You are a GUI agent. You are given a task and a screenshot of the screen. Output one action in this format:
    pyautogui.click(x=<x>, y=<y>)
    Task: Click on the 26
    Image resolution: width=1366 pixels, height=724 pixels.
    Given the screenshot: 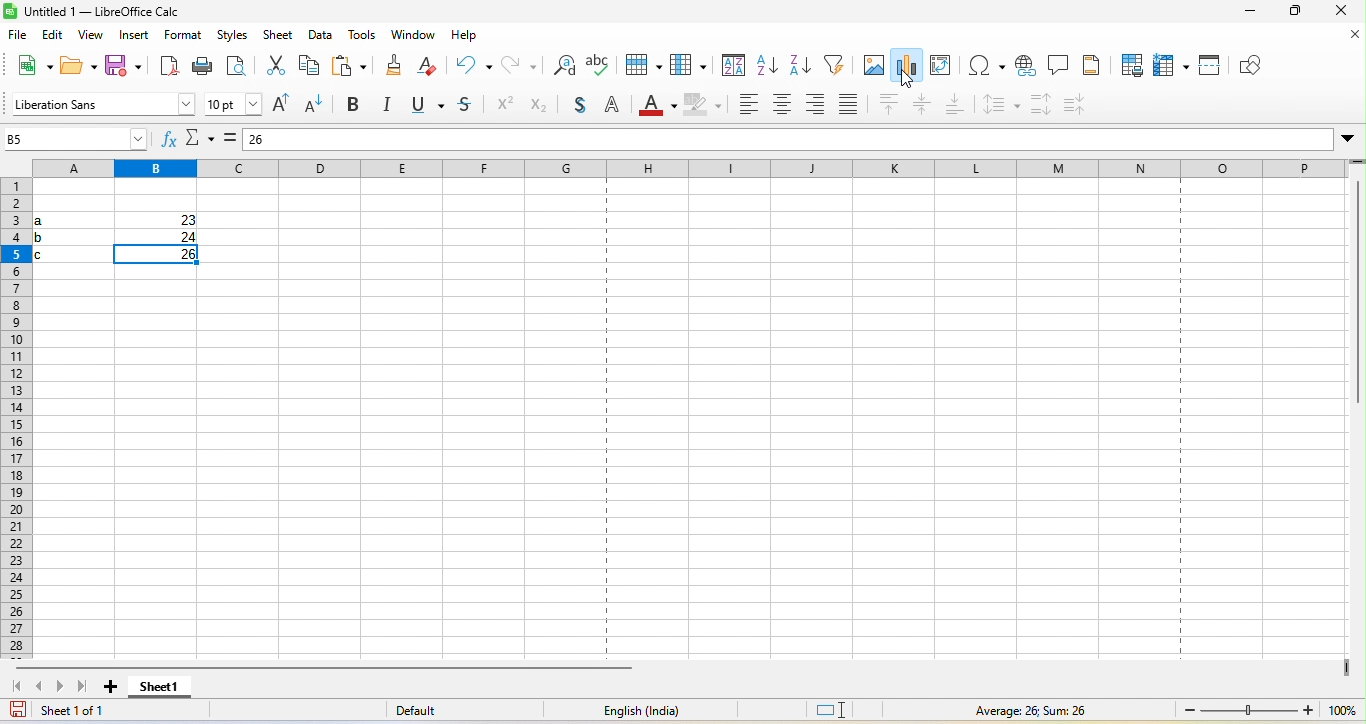 What is the action you would take?
    pyautogui.click(x=295, y=136)
    